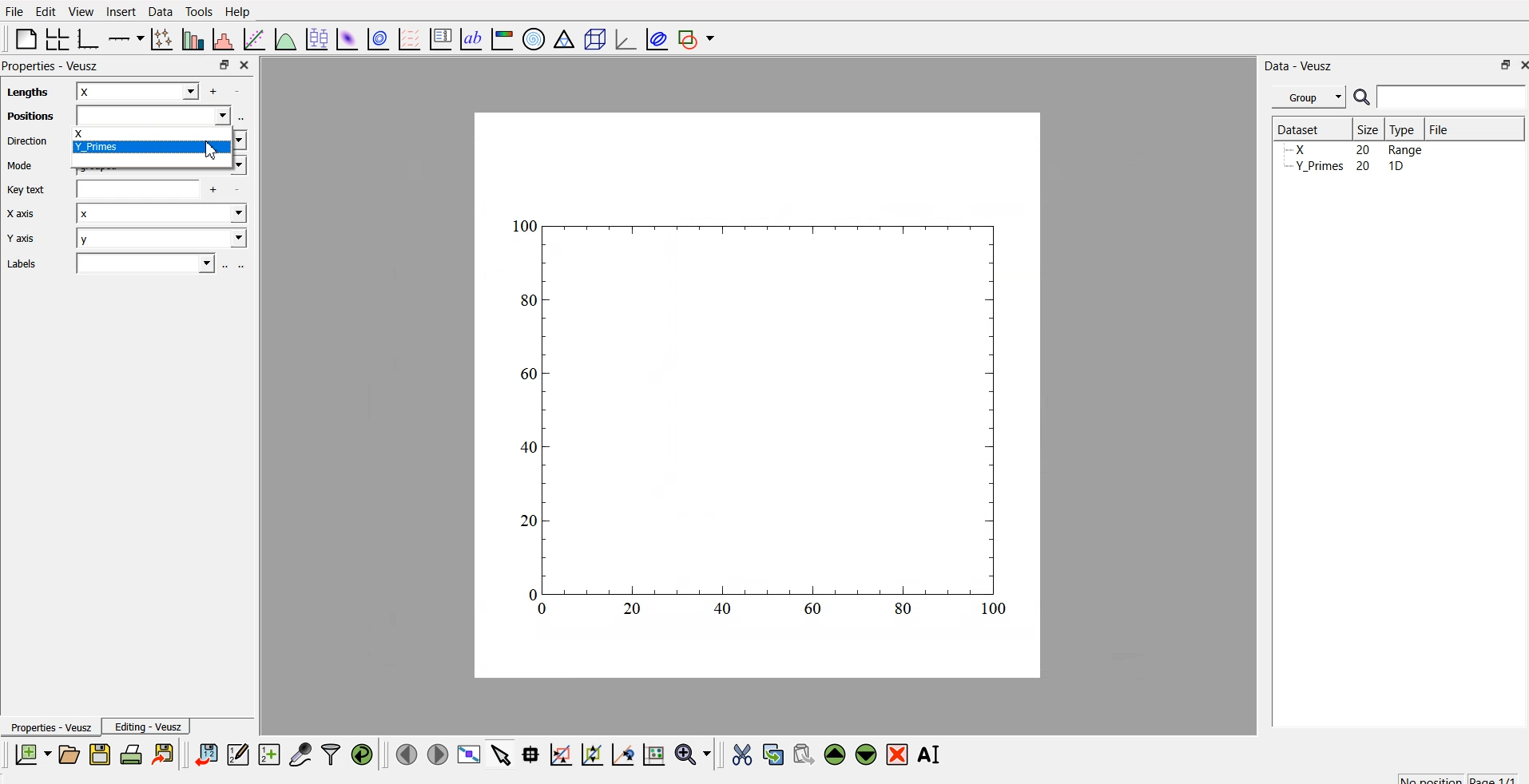 This screenshot has height=784, width=1529. What do you see at coordinates (1352, 168) in the screenshot?
I see `y planes... 20 10` at bounding box center [1352, 168].